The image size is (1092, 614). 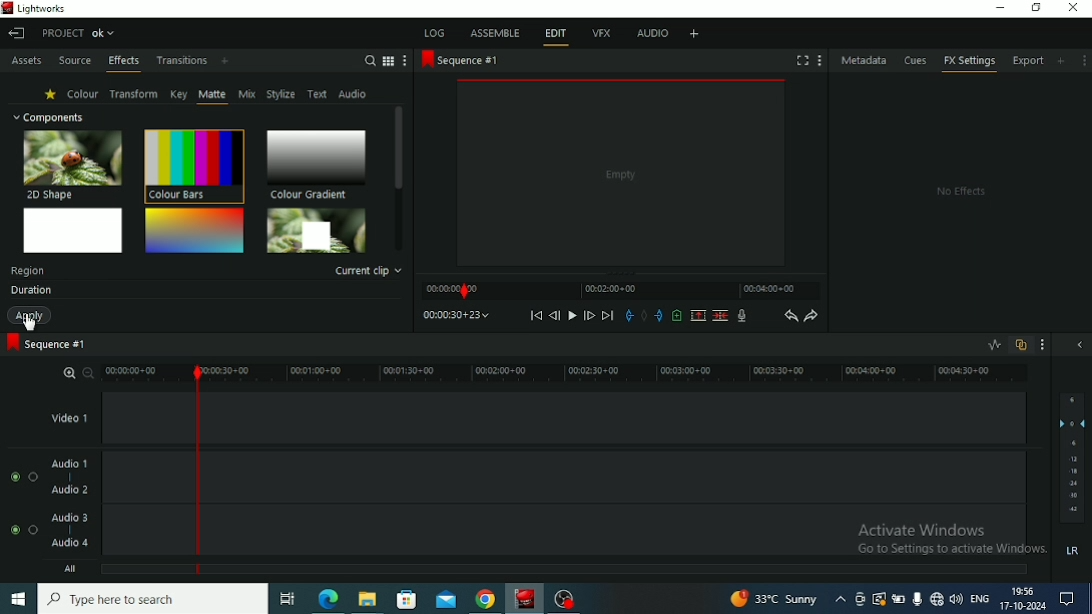 What do you see at coordinates (1021, 345) in the screenshot?
I see `Toggle auto track sync` at bounding box center [1021, 345].